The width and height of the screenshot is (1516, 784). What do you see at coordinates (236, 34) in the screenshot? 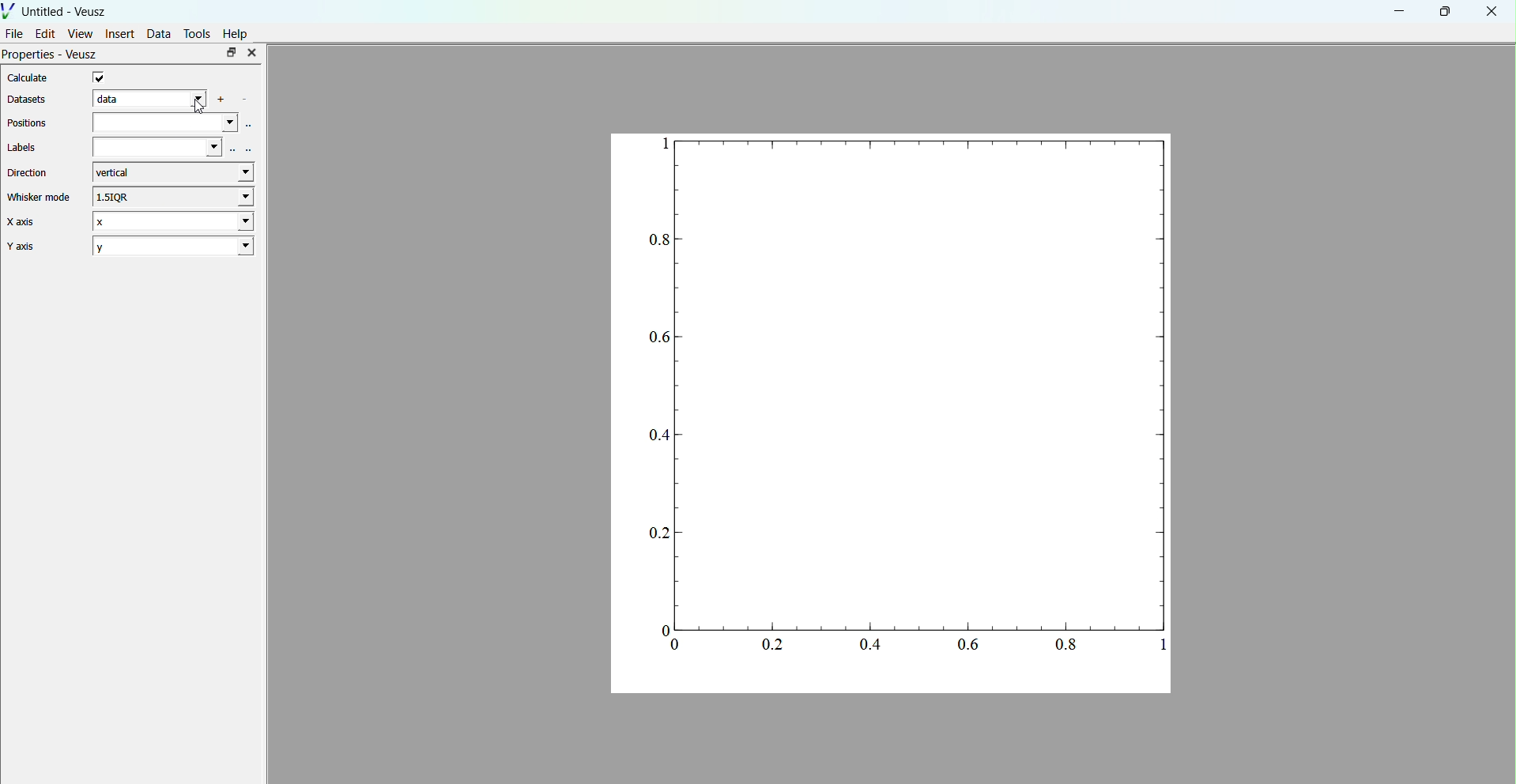
I see `Help` at bounding box center [236, 34].